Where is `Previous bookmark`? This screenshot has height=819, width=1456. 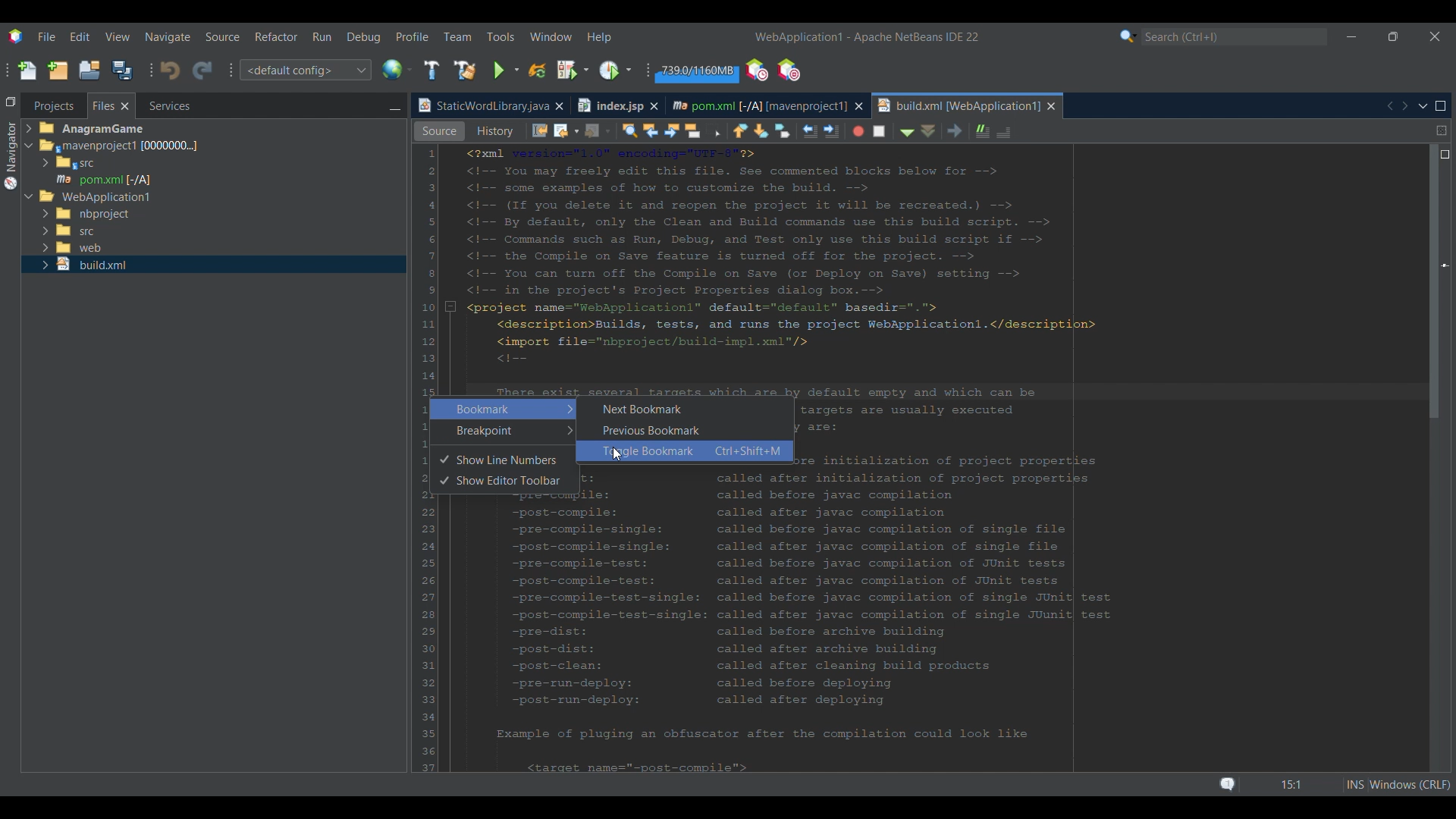
Previous bookmark is located at coordinates (877, 128).